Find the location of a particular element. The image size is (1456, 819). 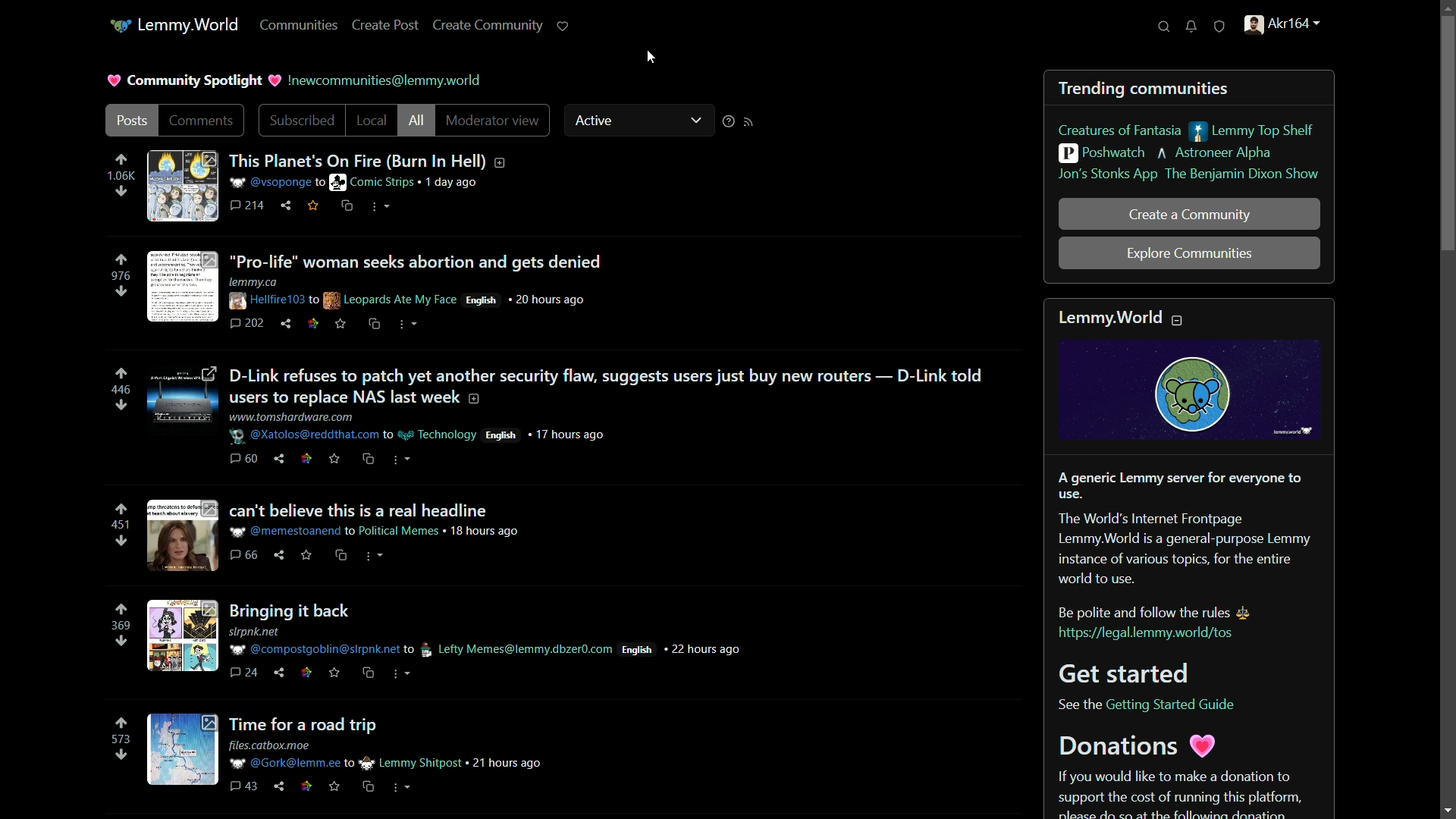

create post is located at coordinates (386, 27).